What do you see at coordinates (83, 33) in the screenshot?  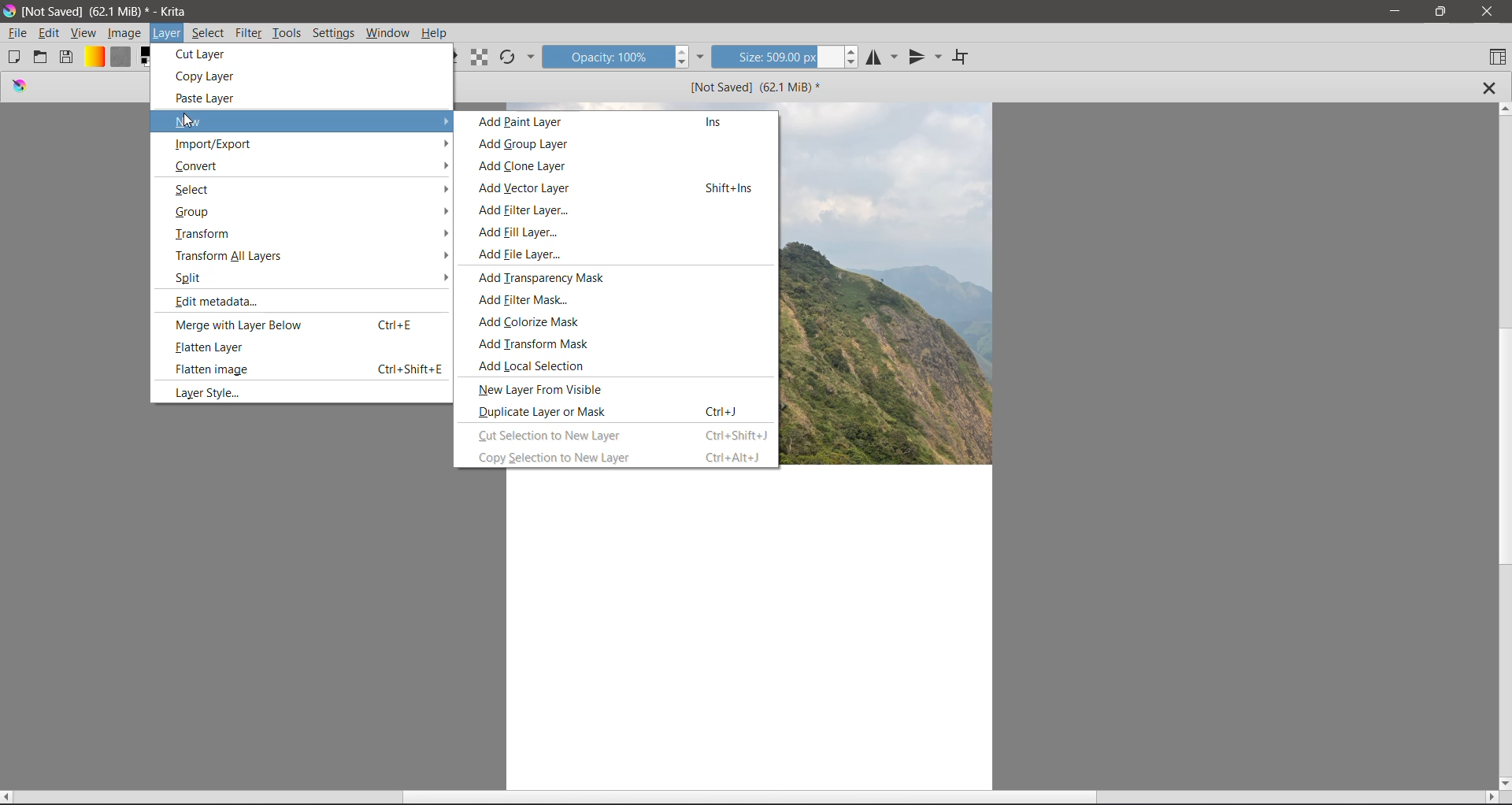 I see `View` at bounding box center [83, 33].